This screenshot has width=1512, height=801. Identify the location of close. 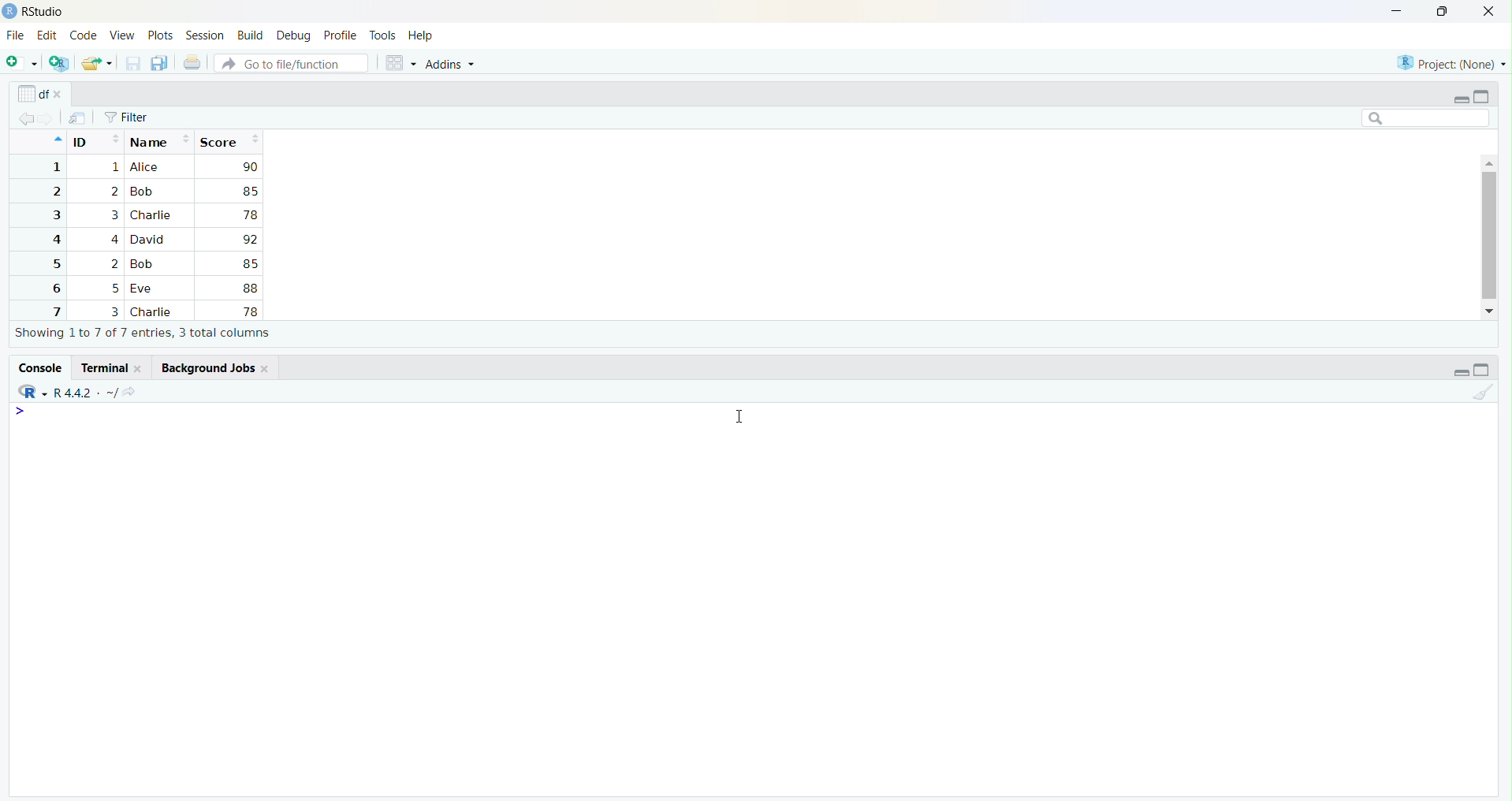
(61, 95).